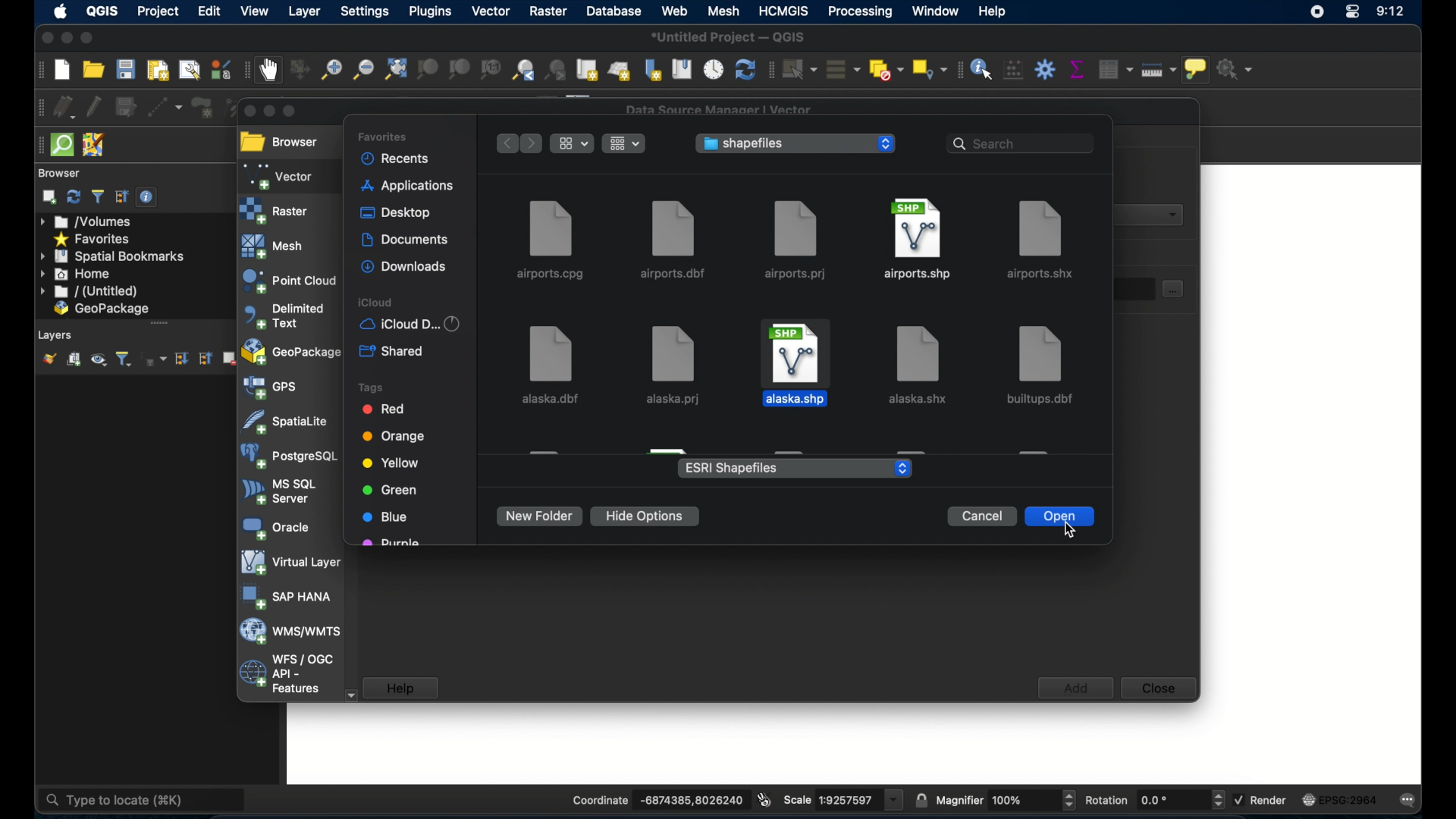  Describe the element at coordinates (102, 309) in the screenshot. I see `geopackage` at that location.